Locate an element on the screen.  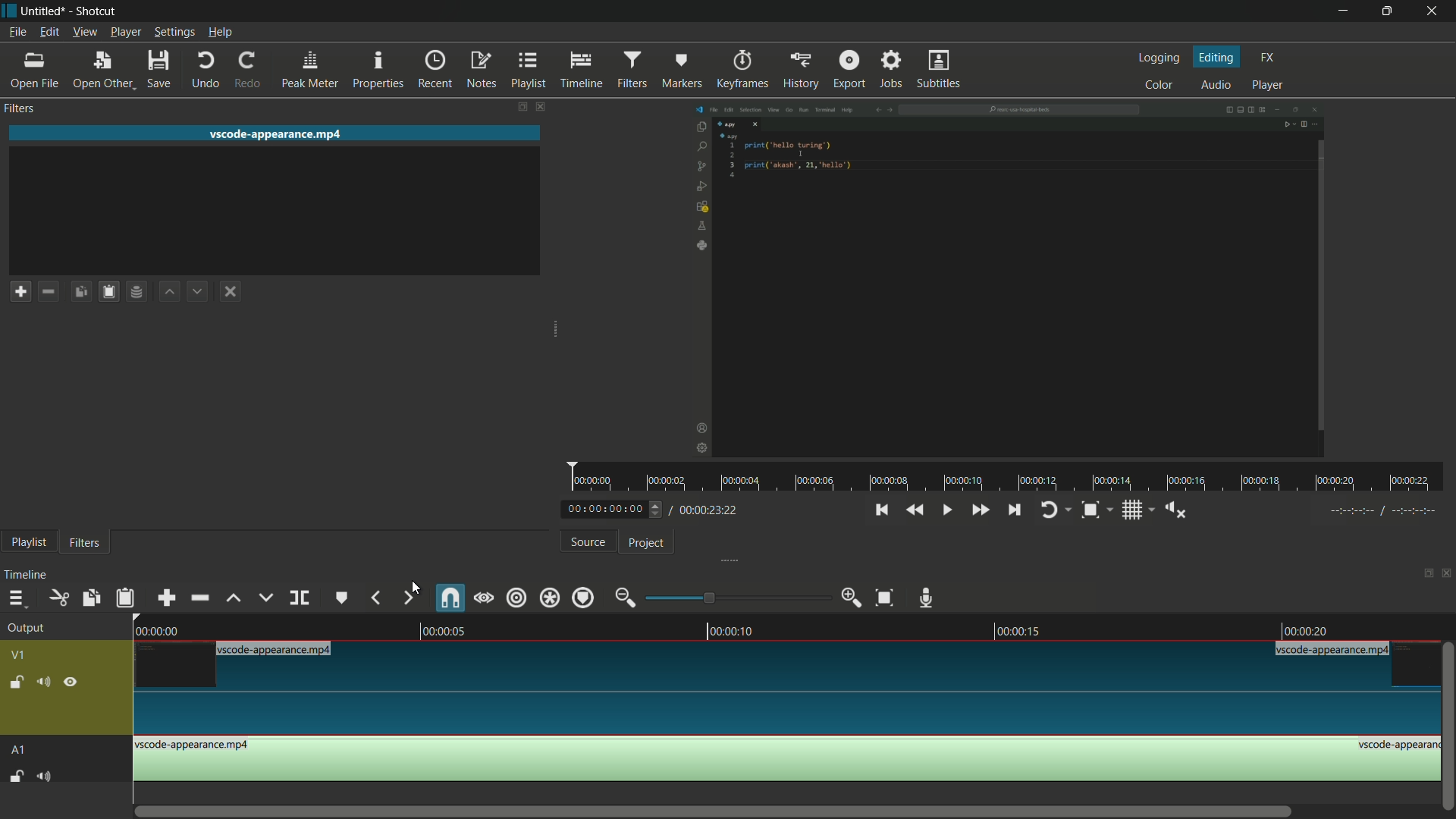
quickly play backward is located at coordinates (916, 510).